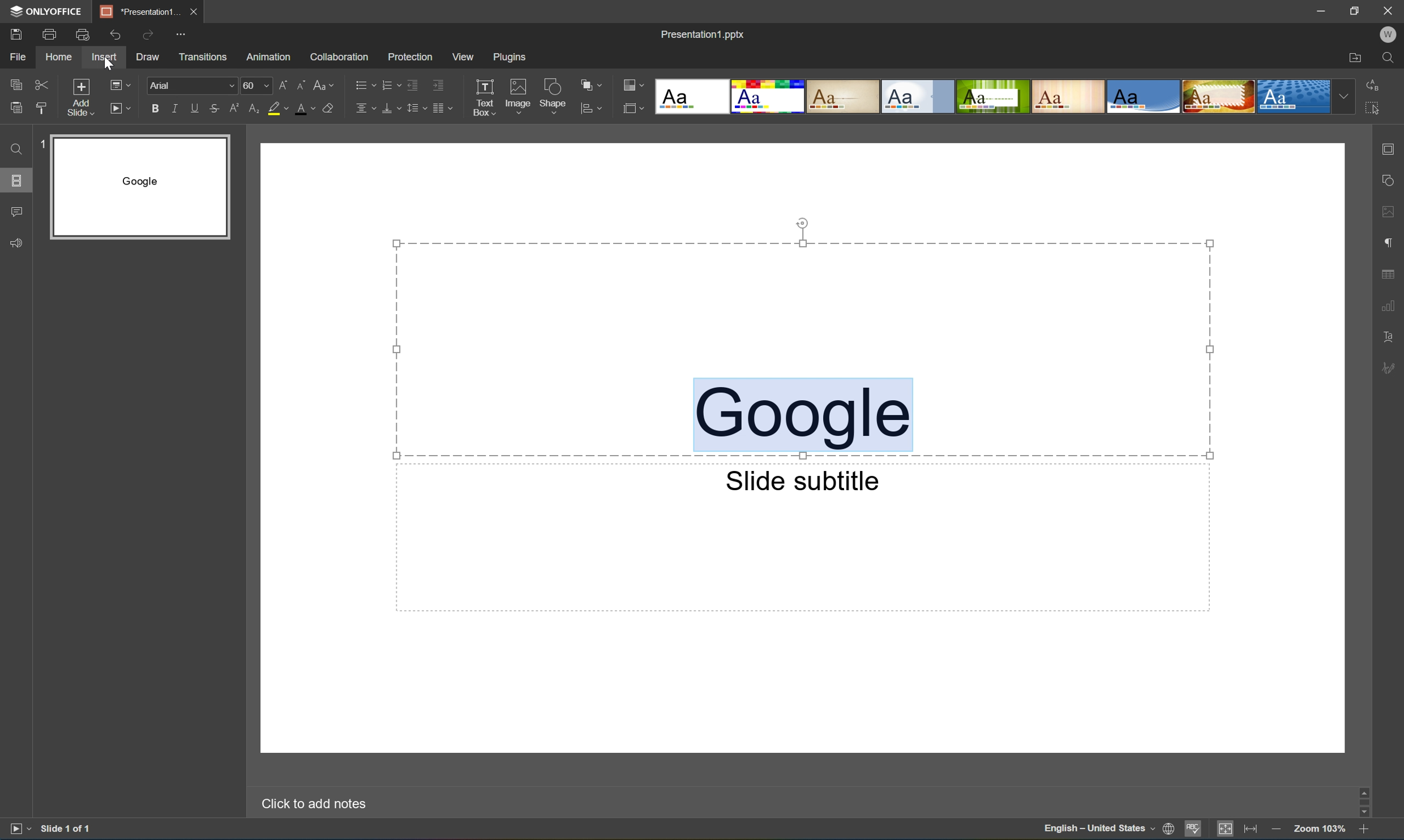  I want to click on Start slideshow, so click(123, 111).